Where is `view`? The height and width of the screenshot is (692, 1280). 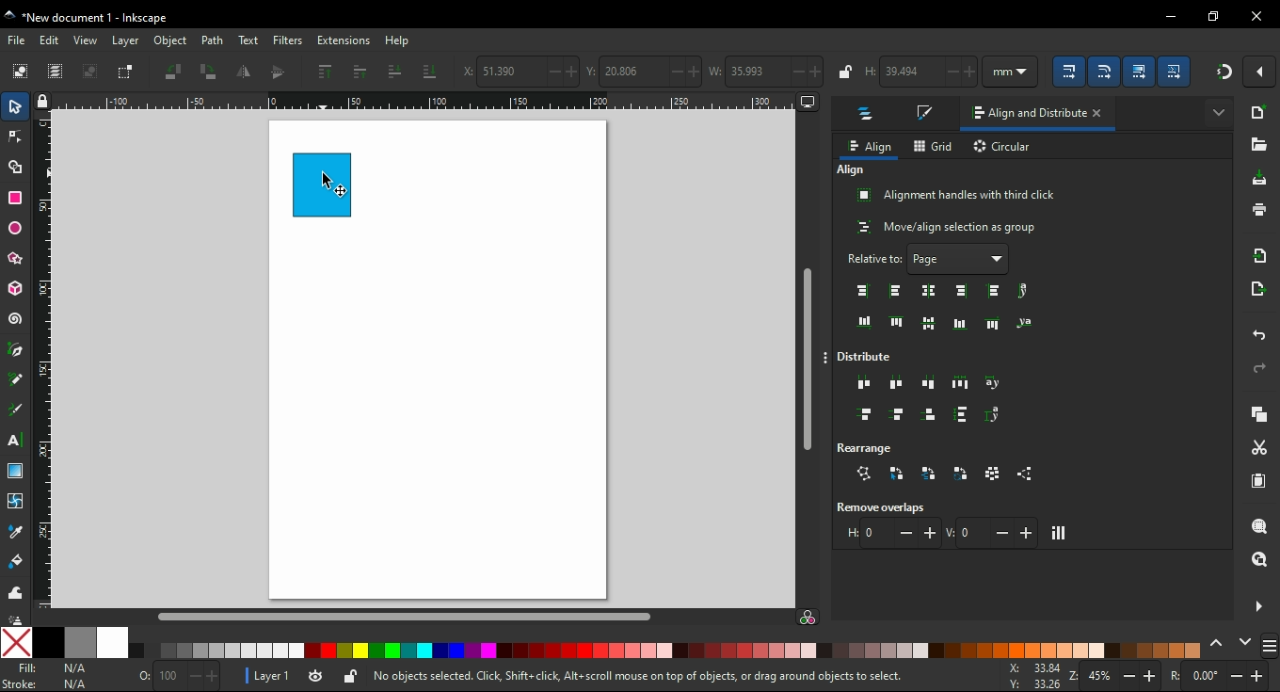
view is located at coordinates (86, 40).